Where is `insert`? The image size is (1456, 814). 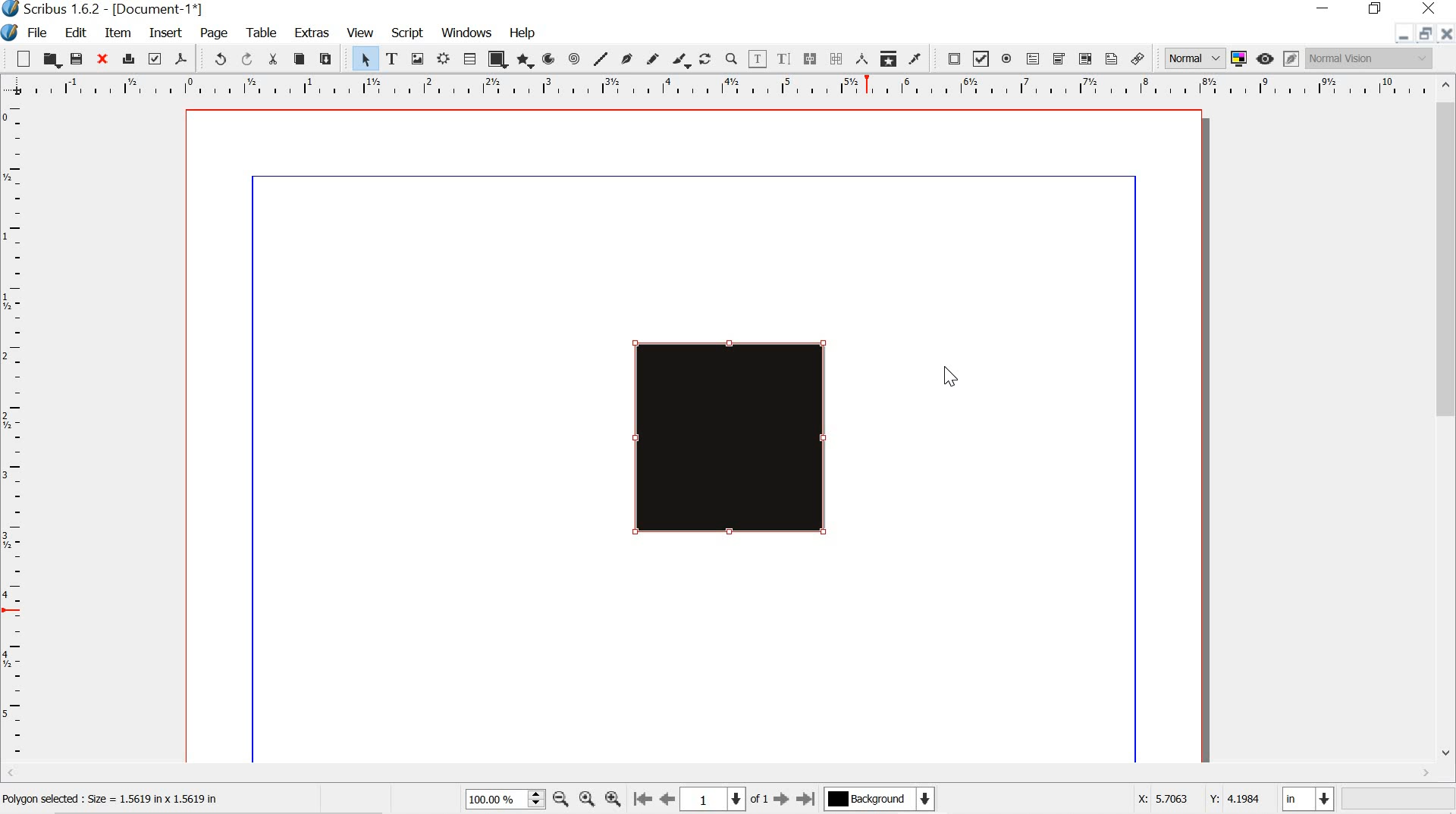
insert is located at coordinates (164, 34).